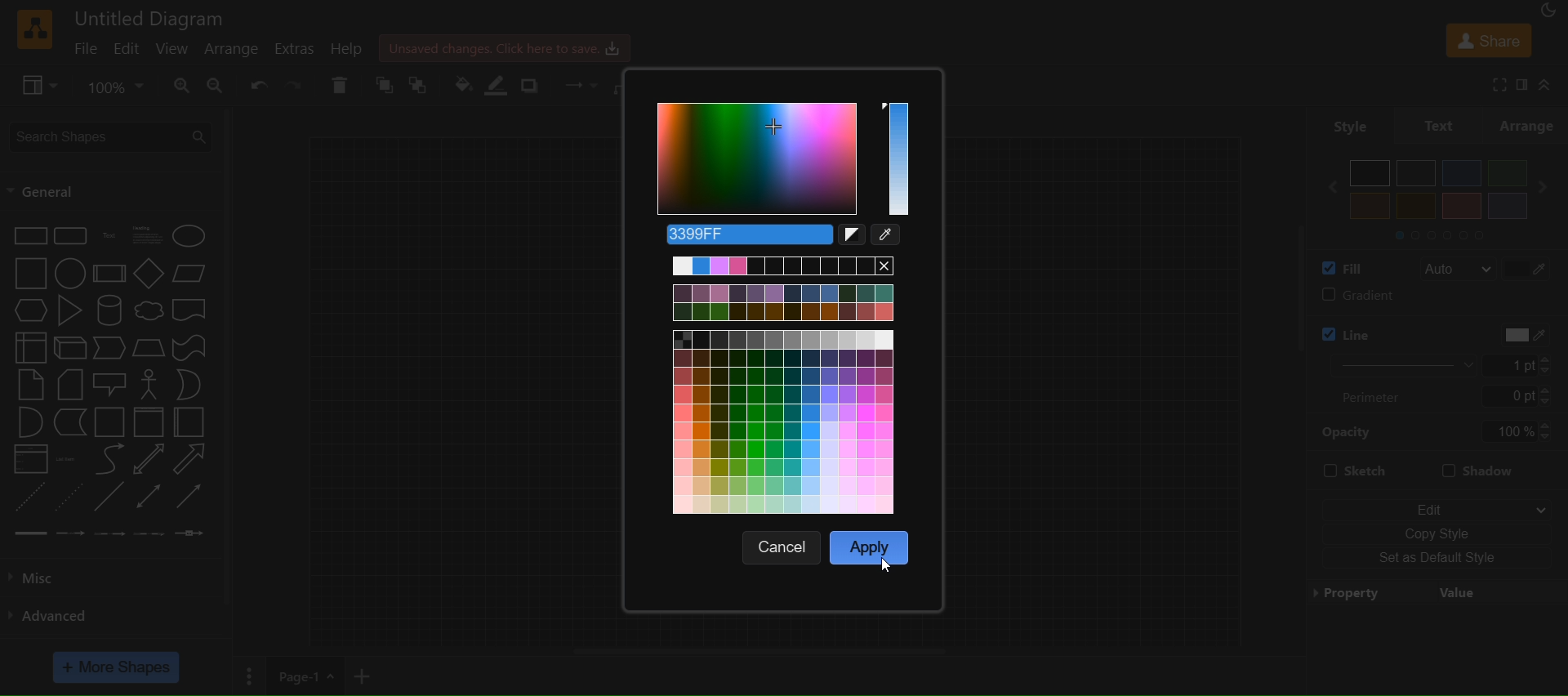  Describe the element at coordinates (193, 273) in the screenshot. I see `parallelogram` at that location.